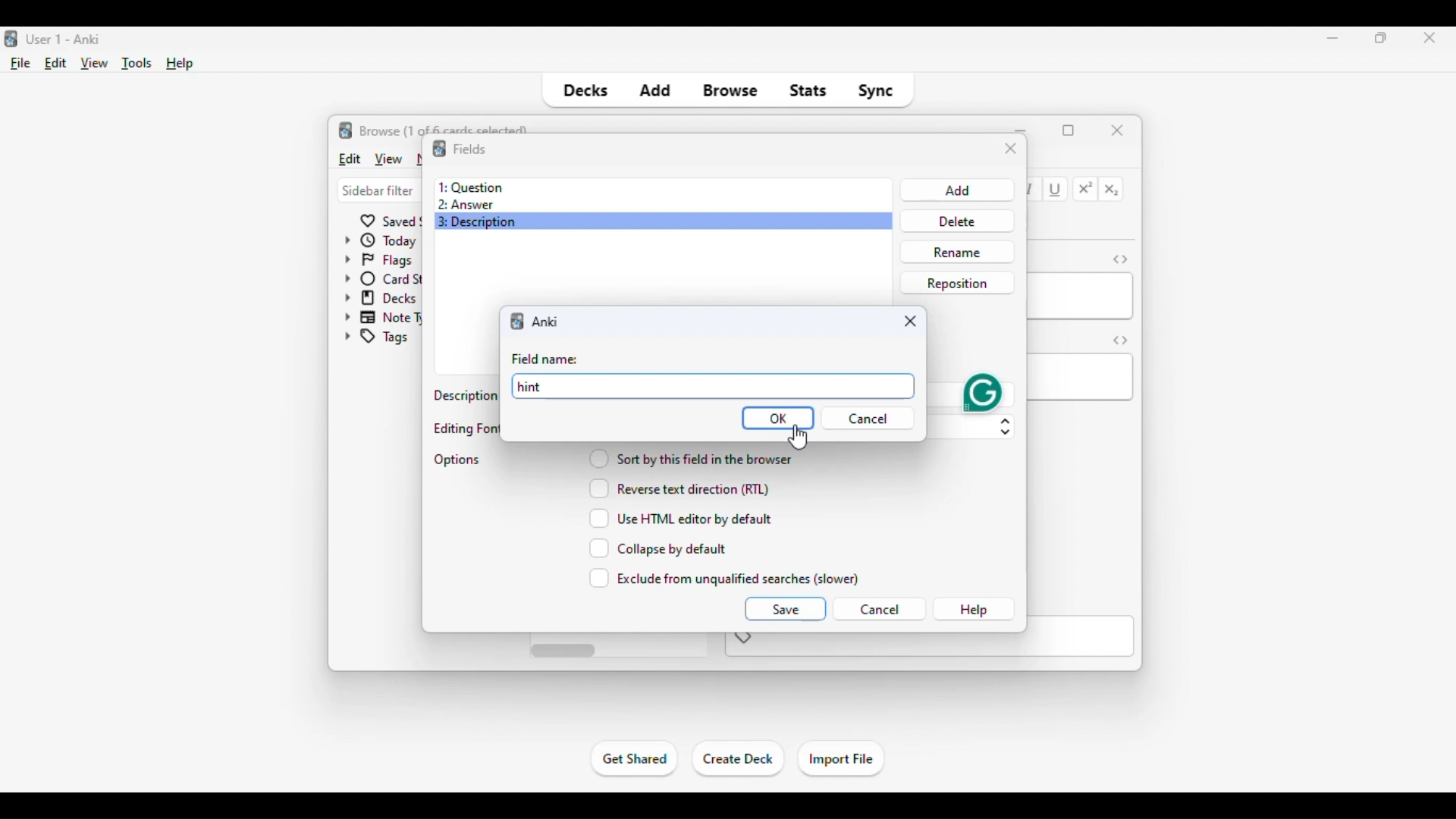 Image resolution: width=1456 pixels, height=819 pixels. I want to click on OK, so click(778, 419).